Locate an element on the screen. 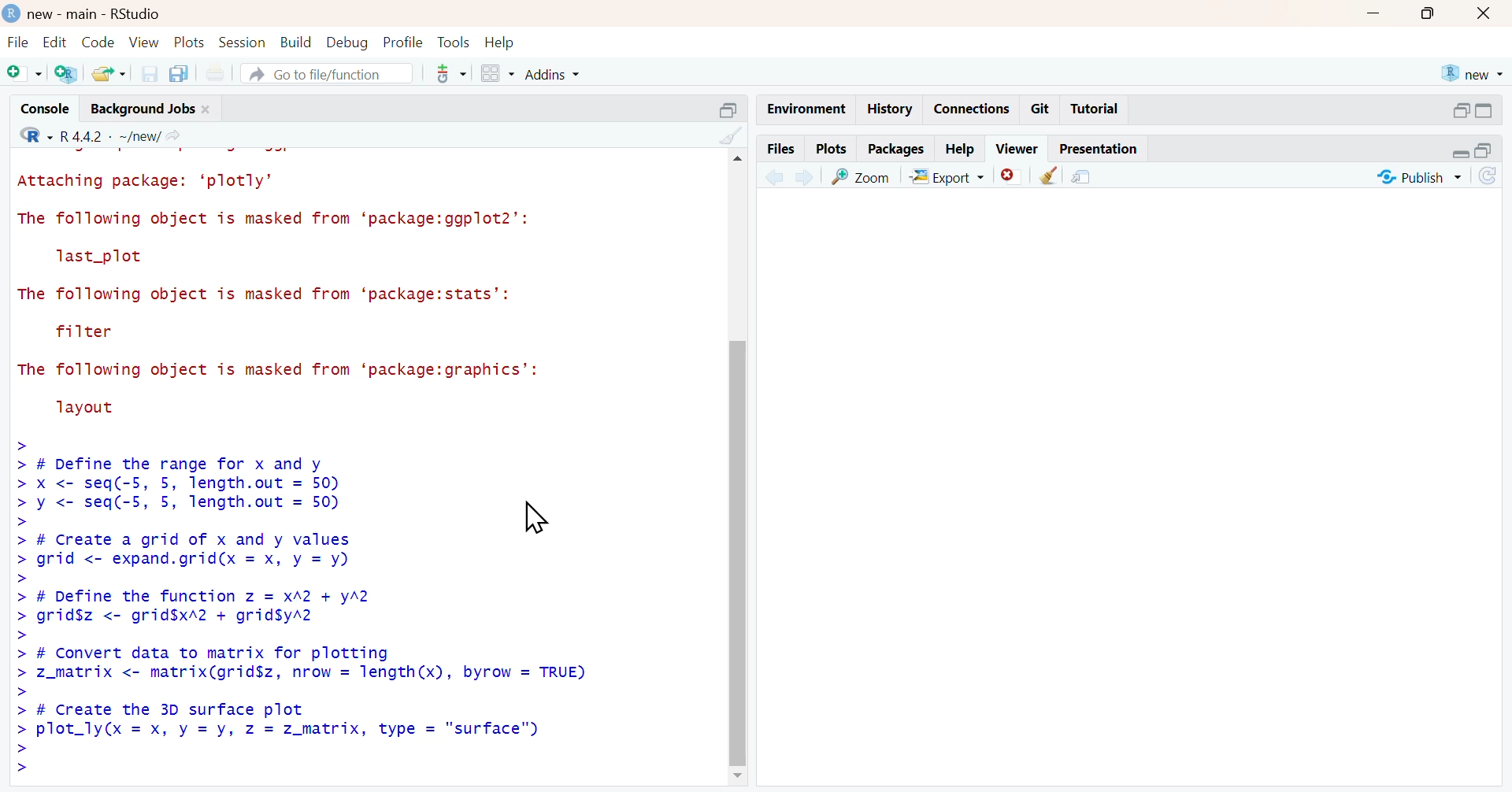  prompt cursor is located at coordinates (24, 634).